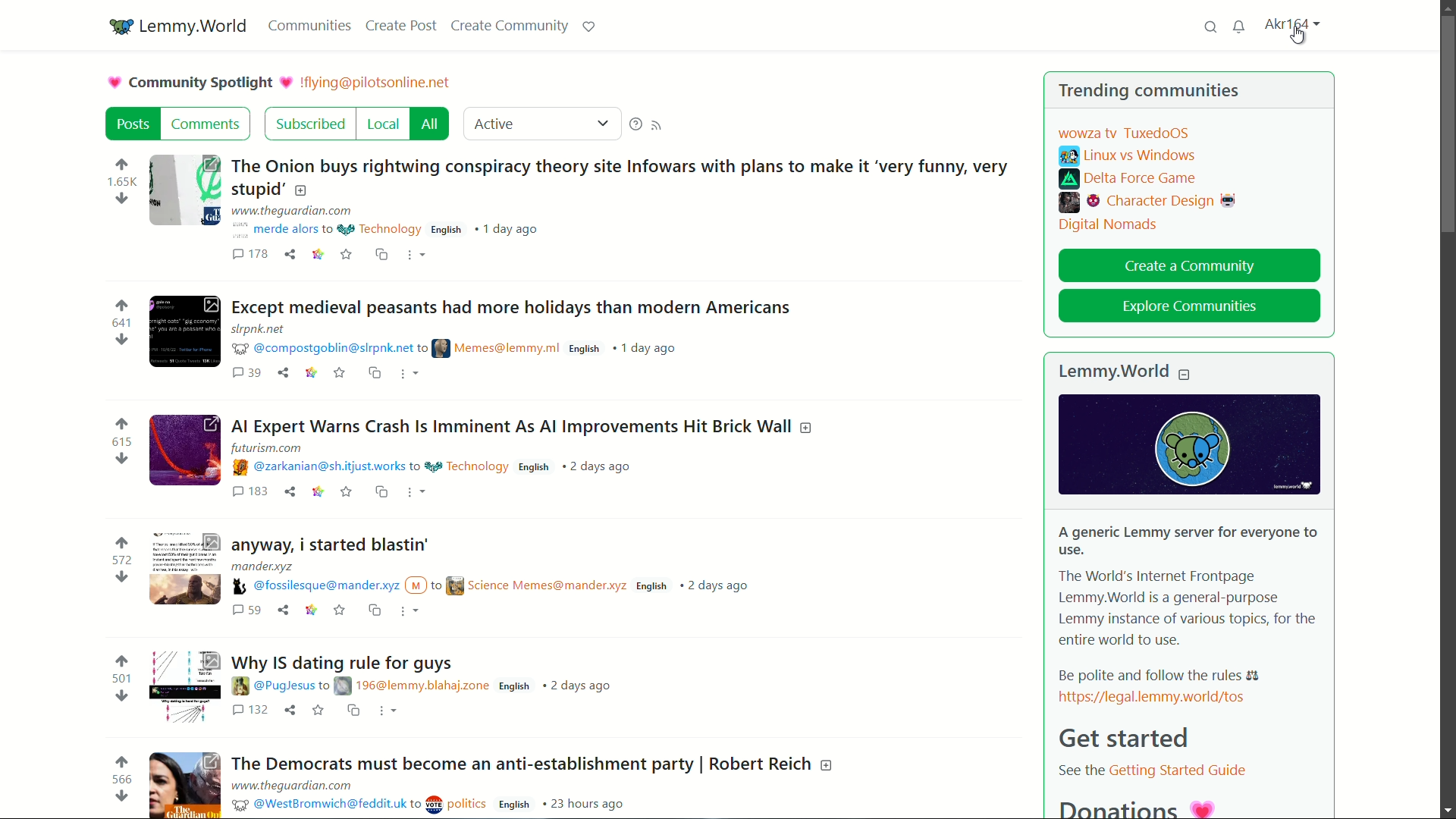 This screenshot has width=1456, height=819. Describe the element at coordinates (334, 544) in the screenshot. I see `post-4` at that location.